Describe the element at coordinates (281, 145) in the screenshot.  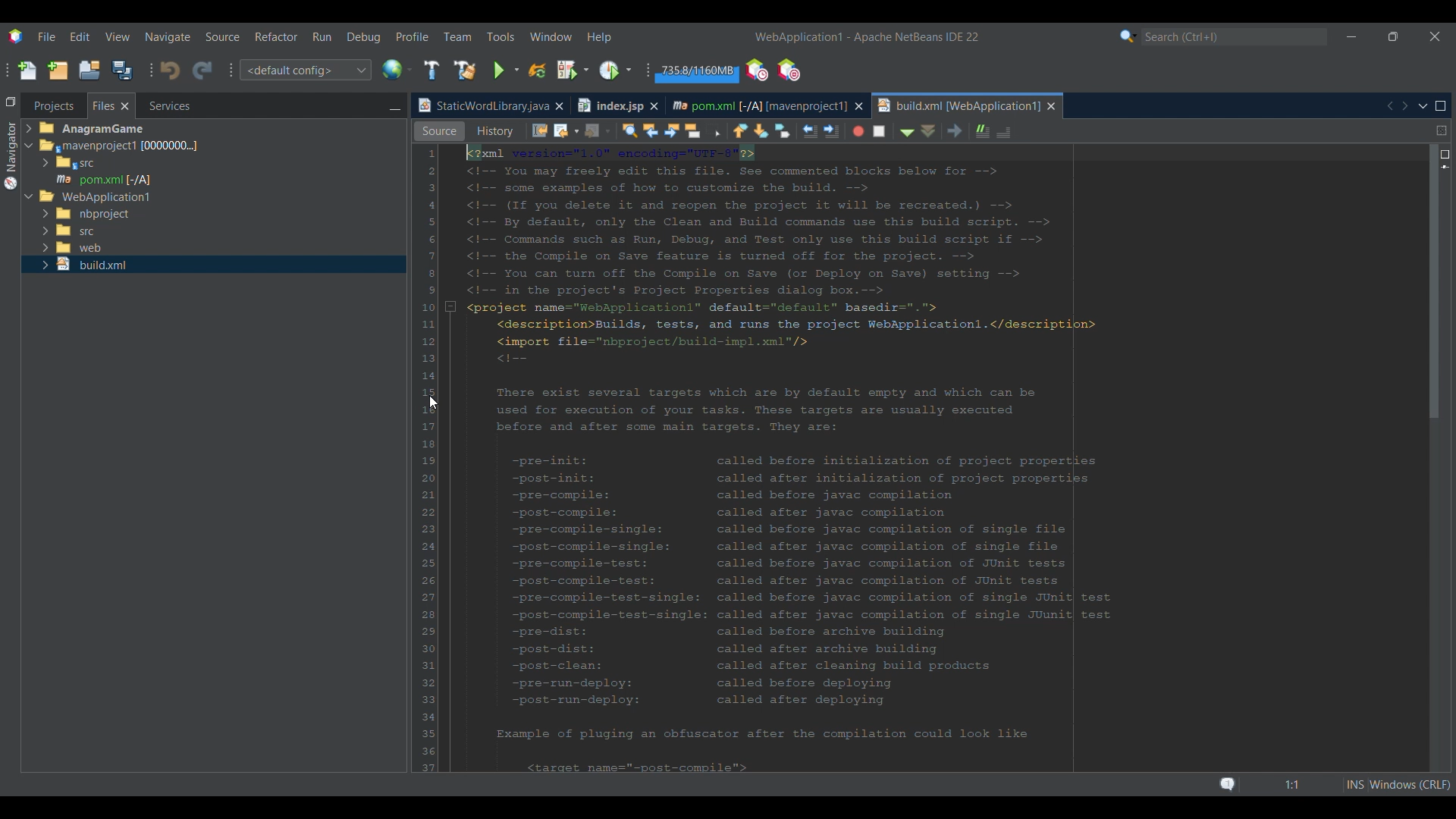
I see `Selected tab highlighted` at that location.